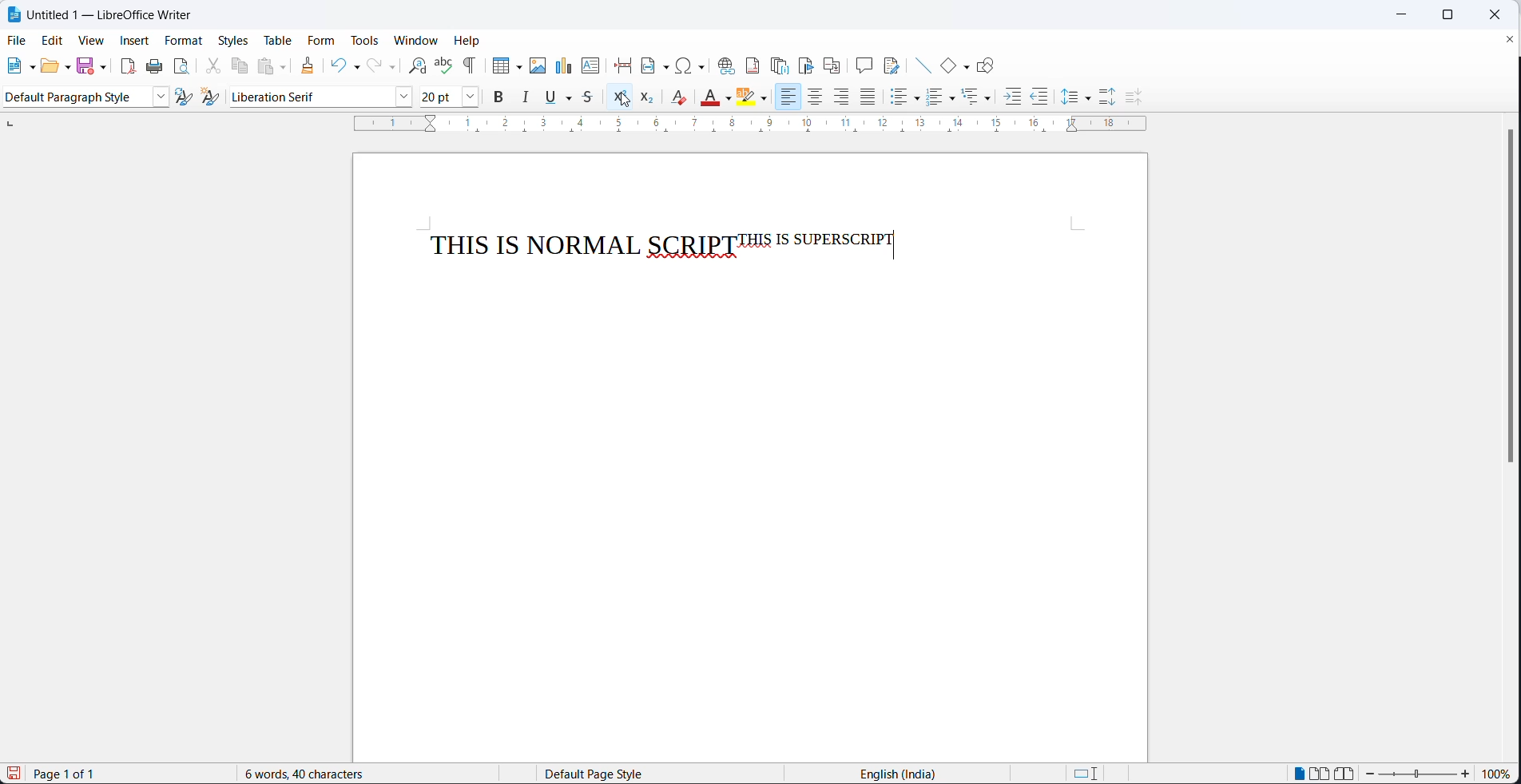 The image size is (1521, 784). I want to click on undo, so click(337, 65).